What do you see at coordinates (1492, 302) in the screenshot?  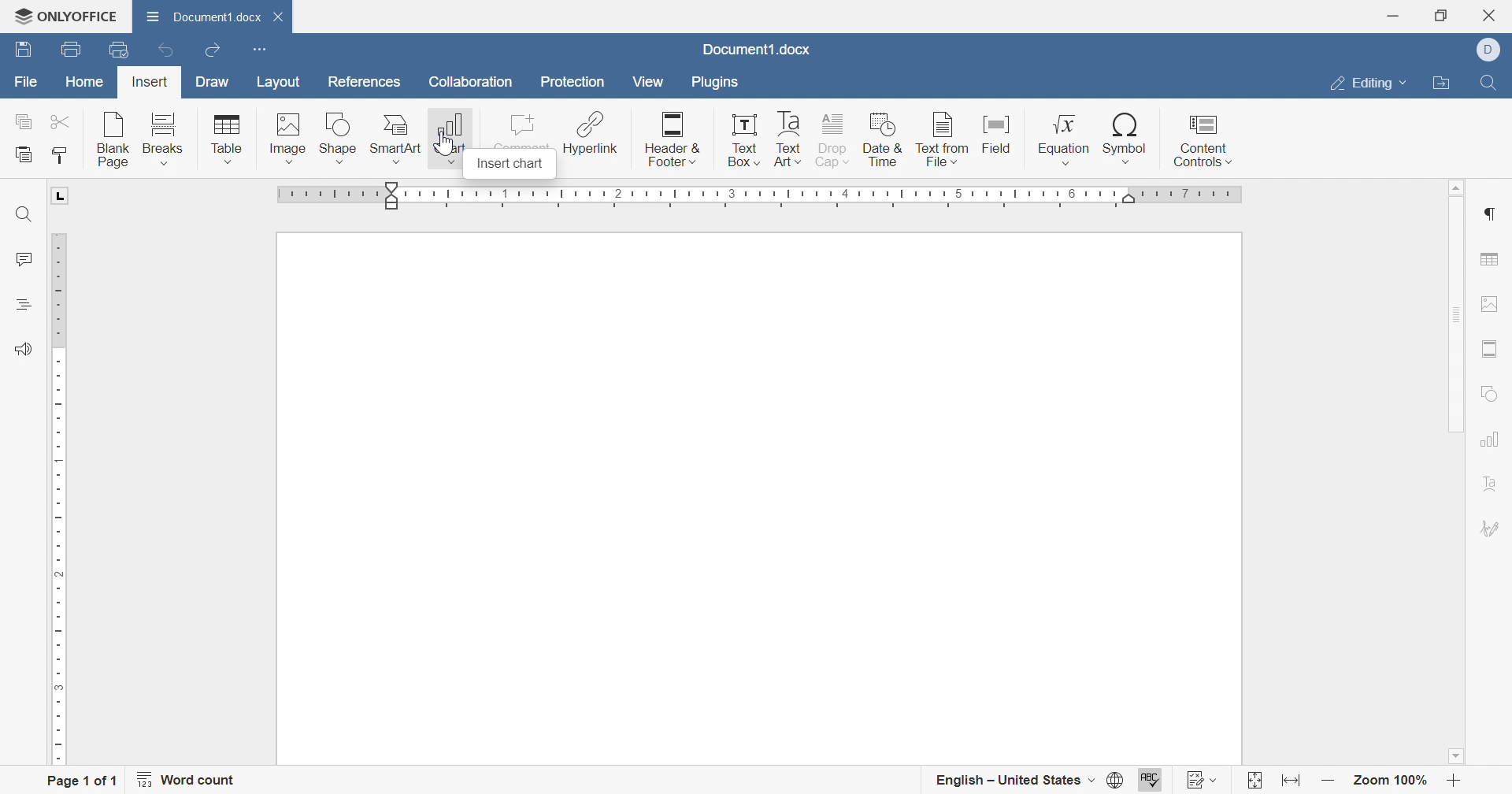 I see `Image settings` at bounding box center [1492, 302].